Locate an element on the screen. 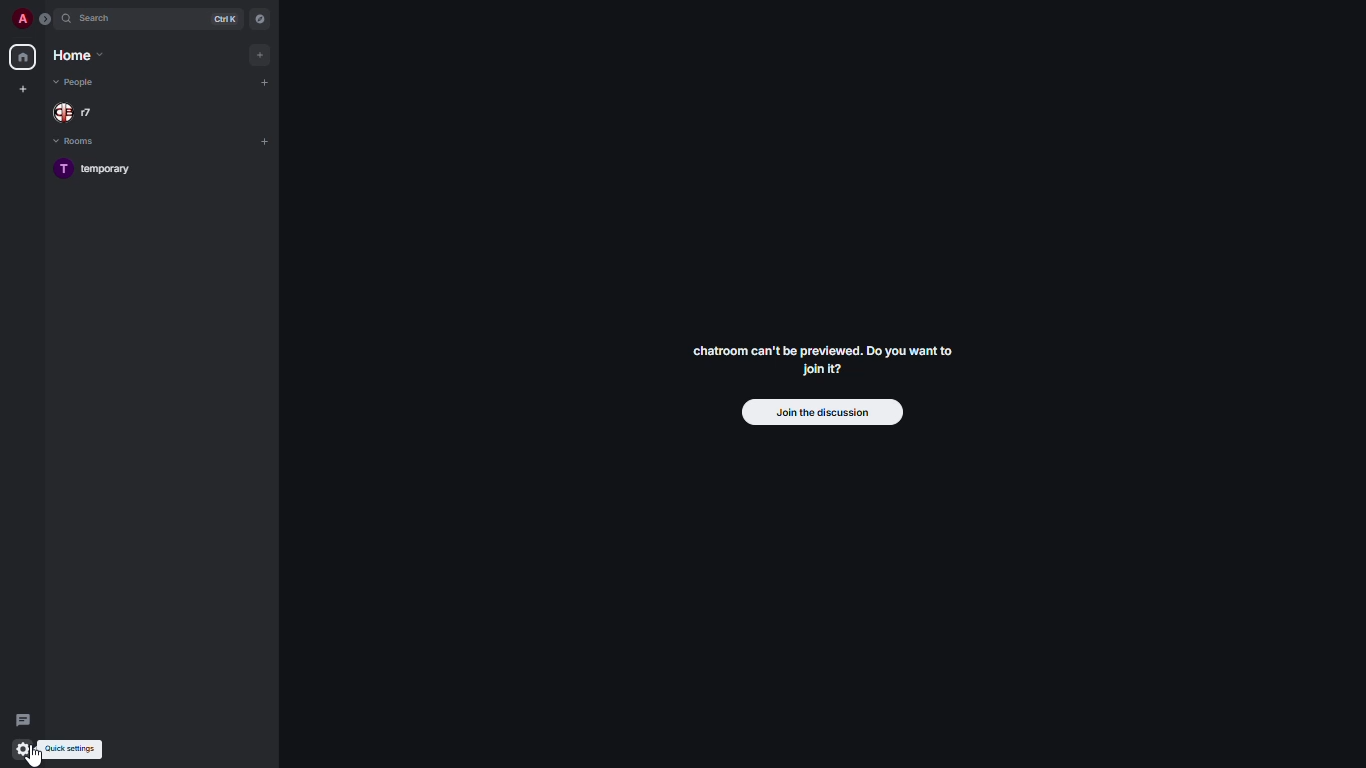 The height and width of the screenshot is (768, 1366). home is located at coordinates (78, 55).